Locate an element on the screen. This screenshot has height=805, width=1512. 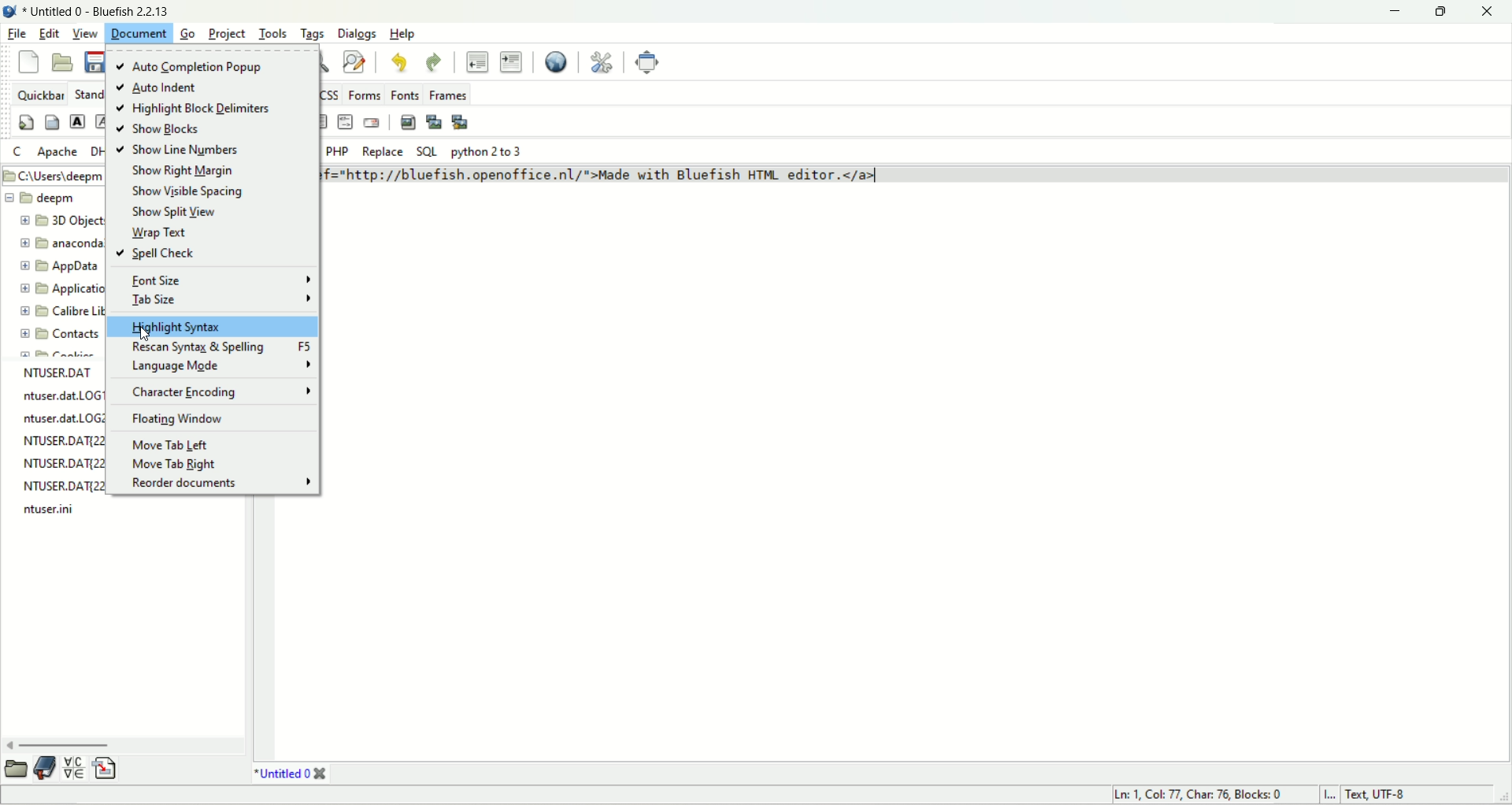
new is located at coordinates (30, 61).